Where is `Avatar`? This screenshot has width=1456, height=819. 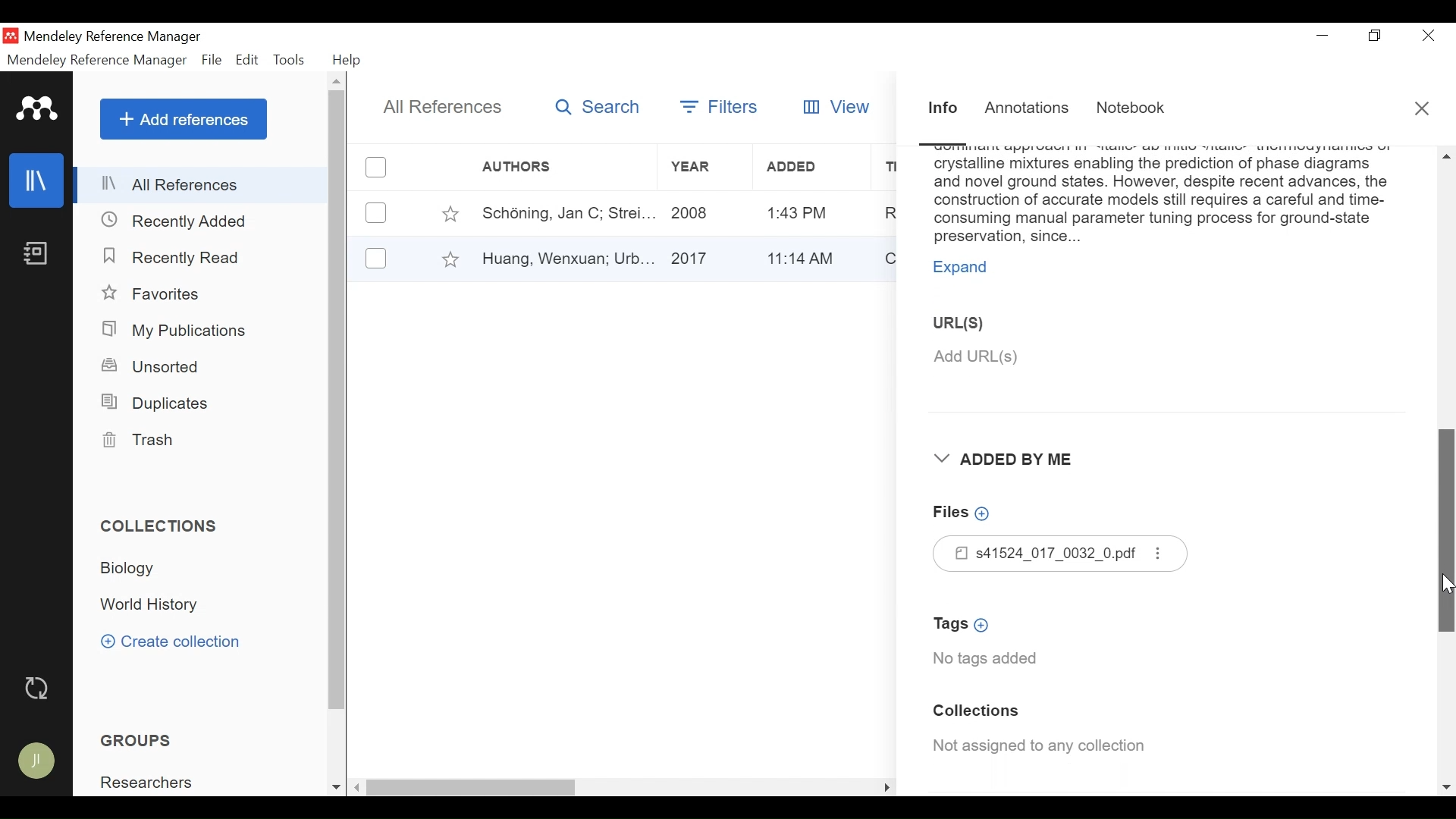 Avatar is located at coordinates (37, 761).